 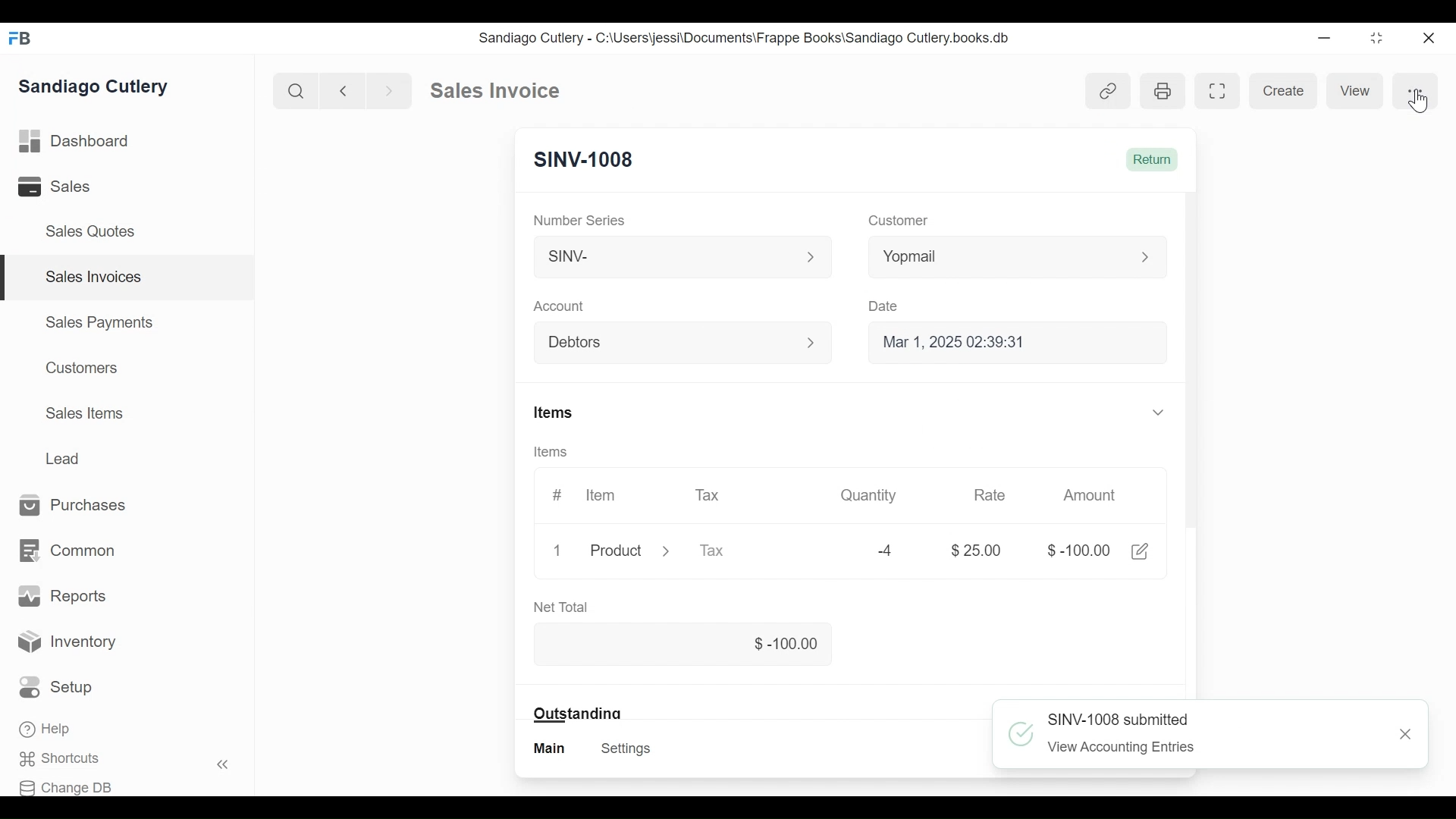 What do you see at coordinates (52, 186) in the screenshot?
I see ` Sales` at bounding box center [52, 186].